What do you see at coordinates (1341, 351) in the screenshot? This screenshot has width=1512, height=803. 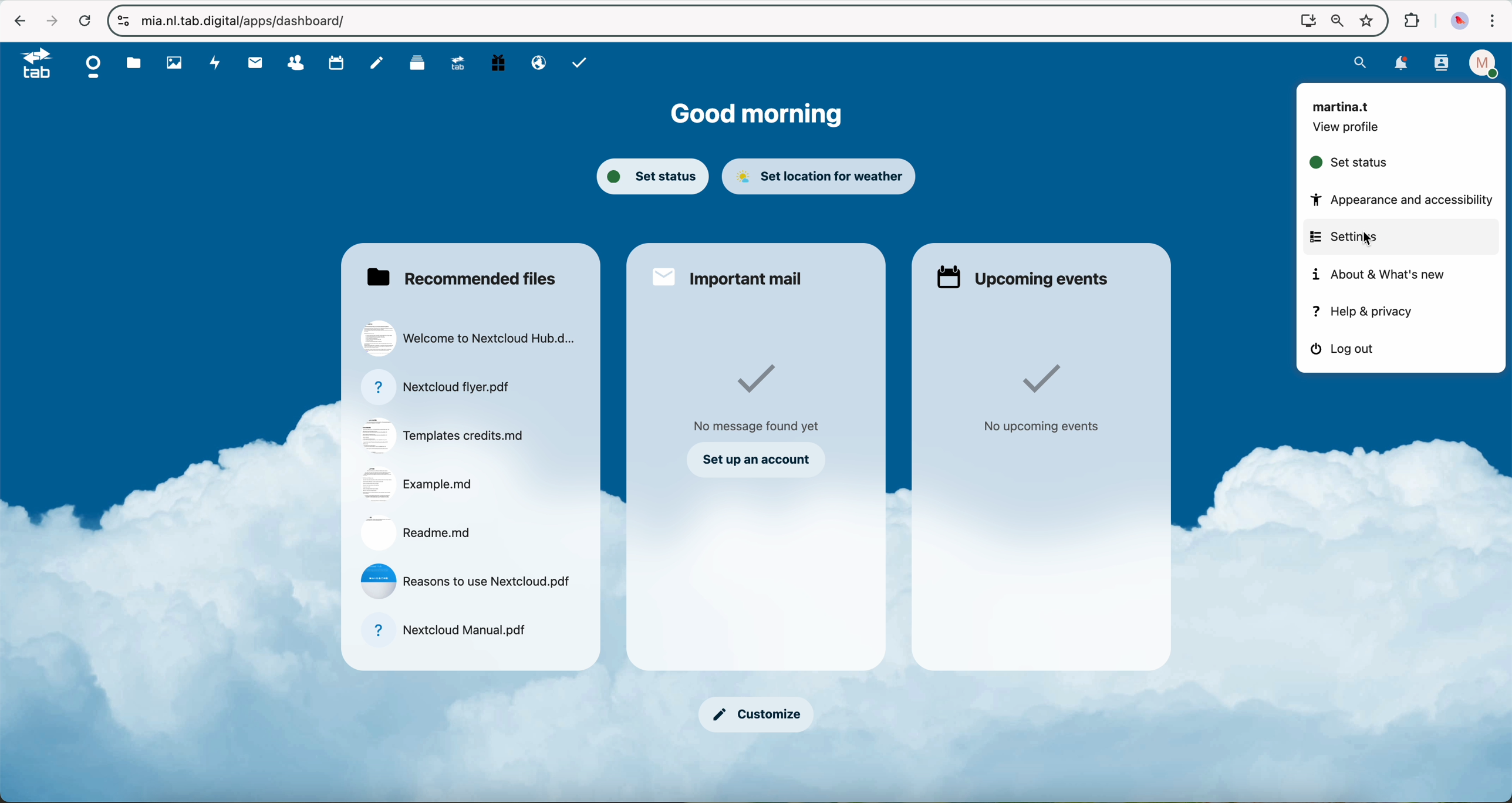 I see `log out` at bounding box center [1341, 351].